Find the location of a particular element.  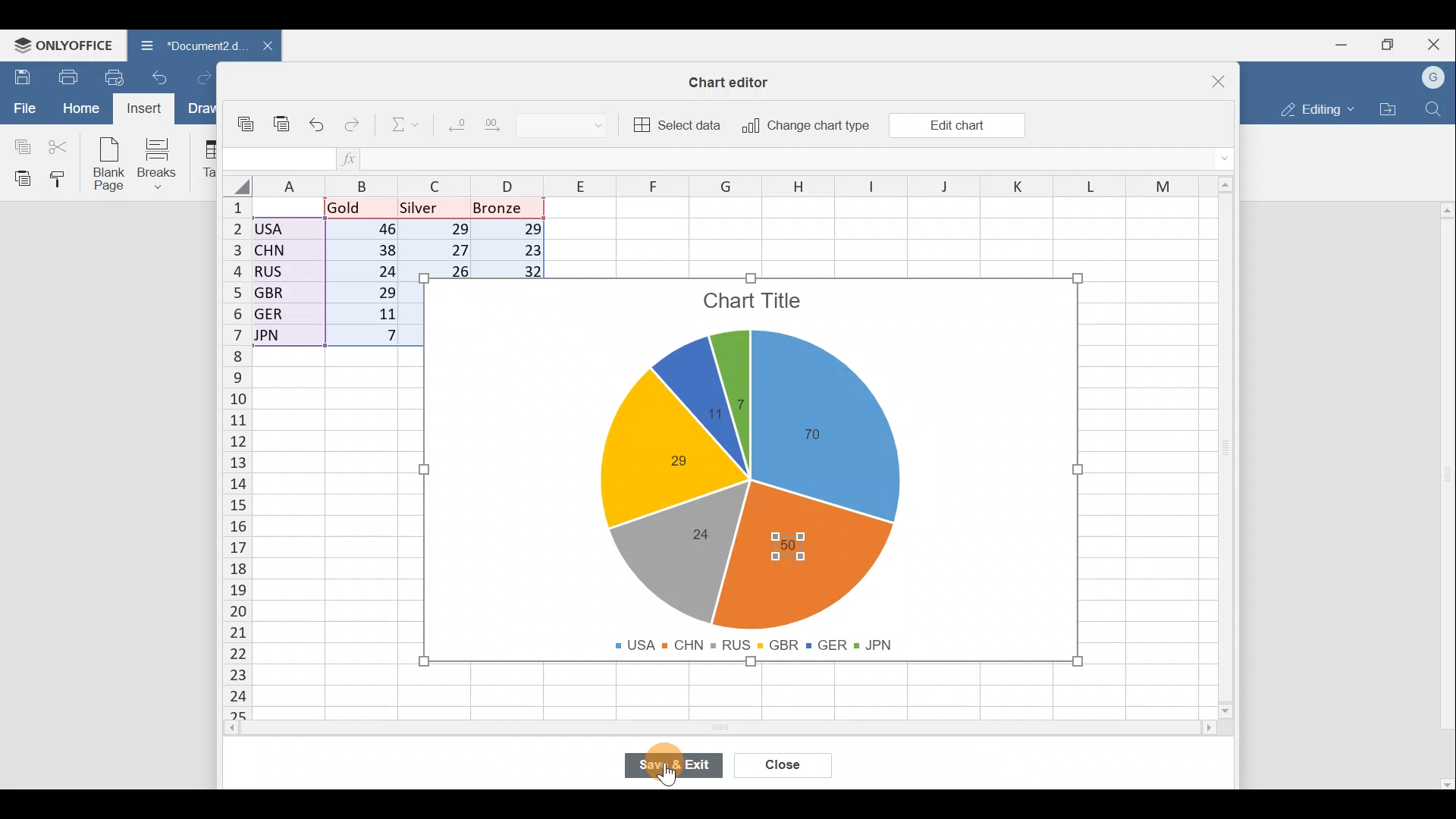

Print file is located at coordinates (67, 76).